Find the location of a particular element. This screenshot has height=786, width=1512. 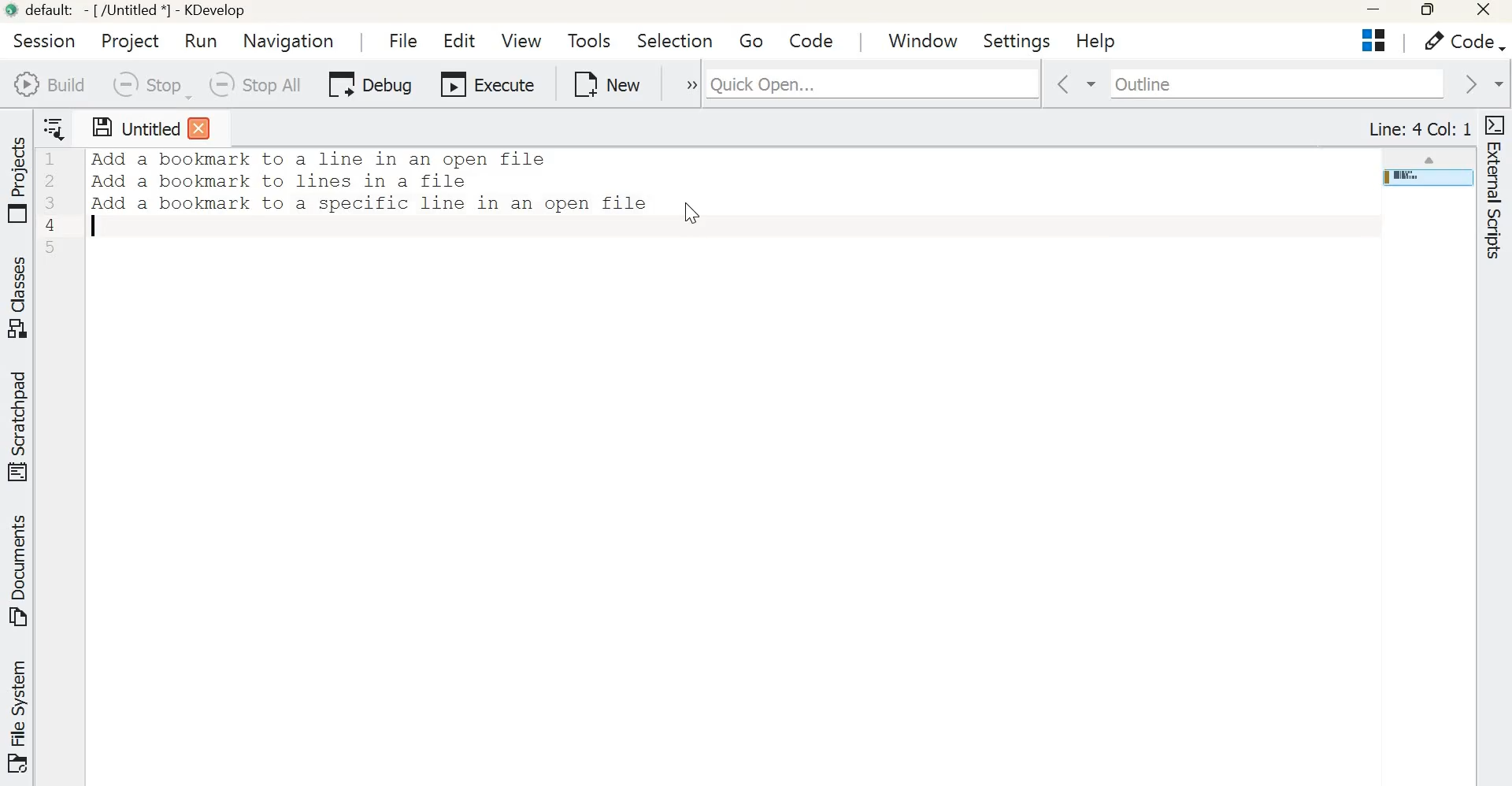

Untitled is located at coordinates (150, 128).